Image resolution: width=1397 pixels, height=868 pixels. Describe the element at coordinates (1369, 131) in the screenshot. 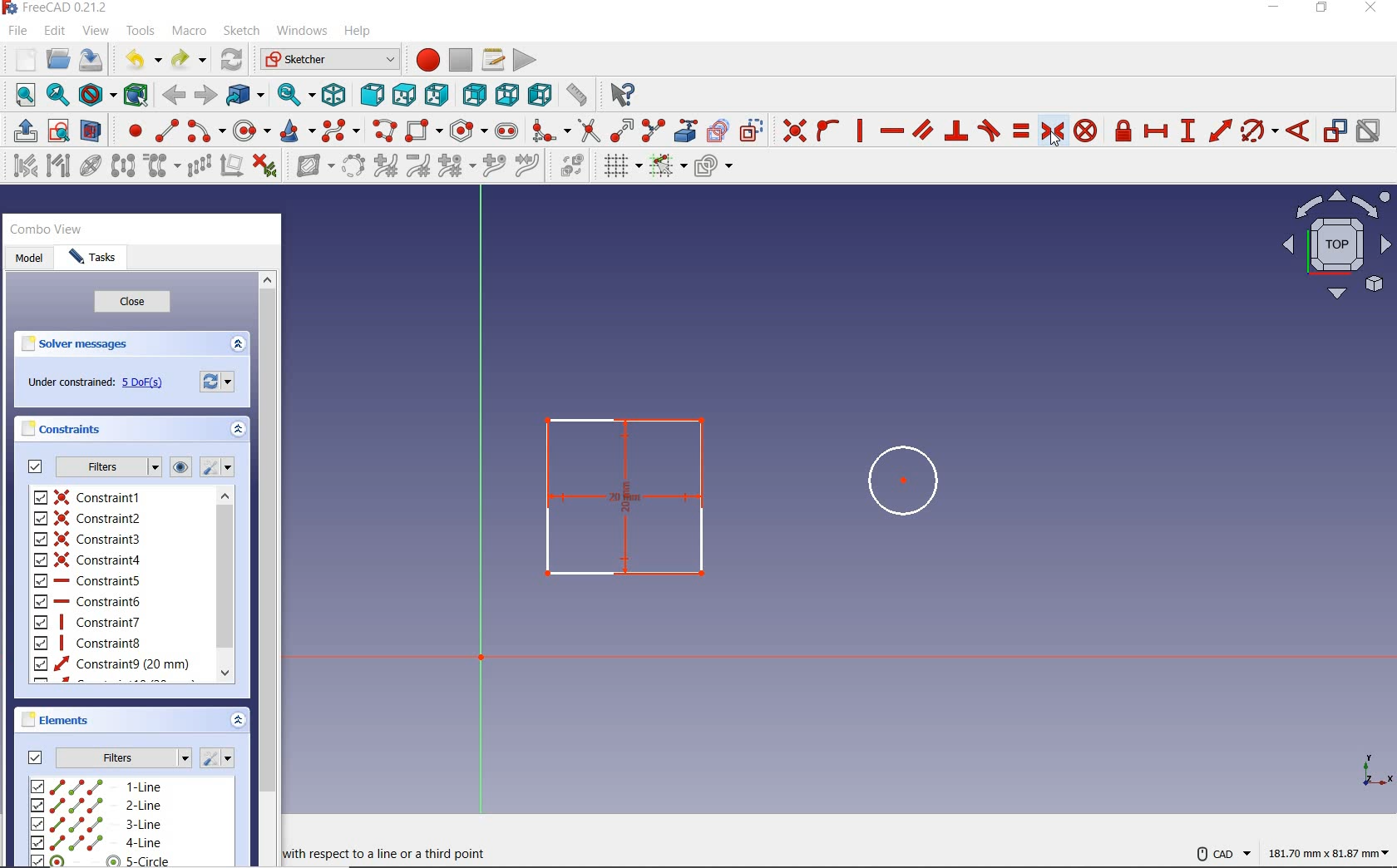

I see `activate/deactivate constraint` at that location.